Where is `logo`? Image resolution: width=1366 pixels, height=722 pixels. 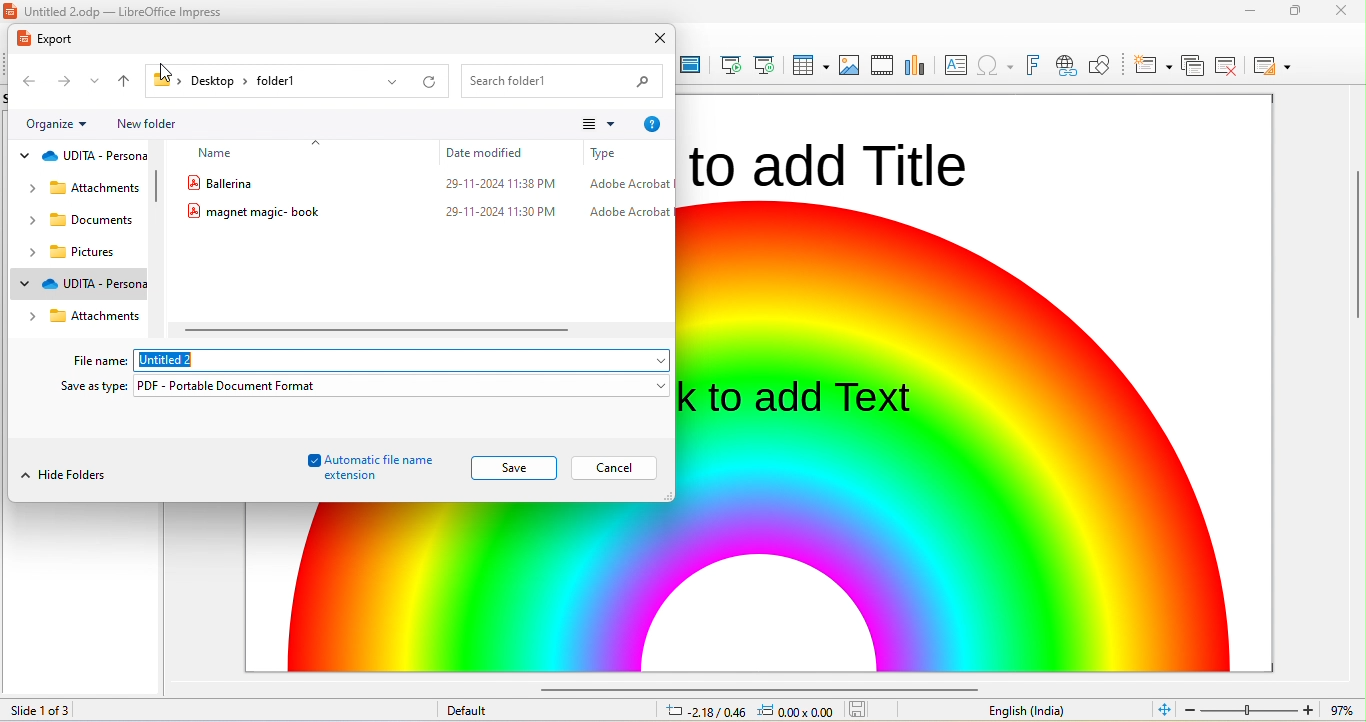 logo is located at coordinates (14, 10).